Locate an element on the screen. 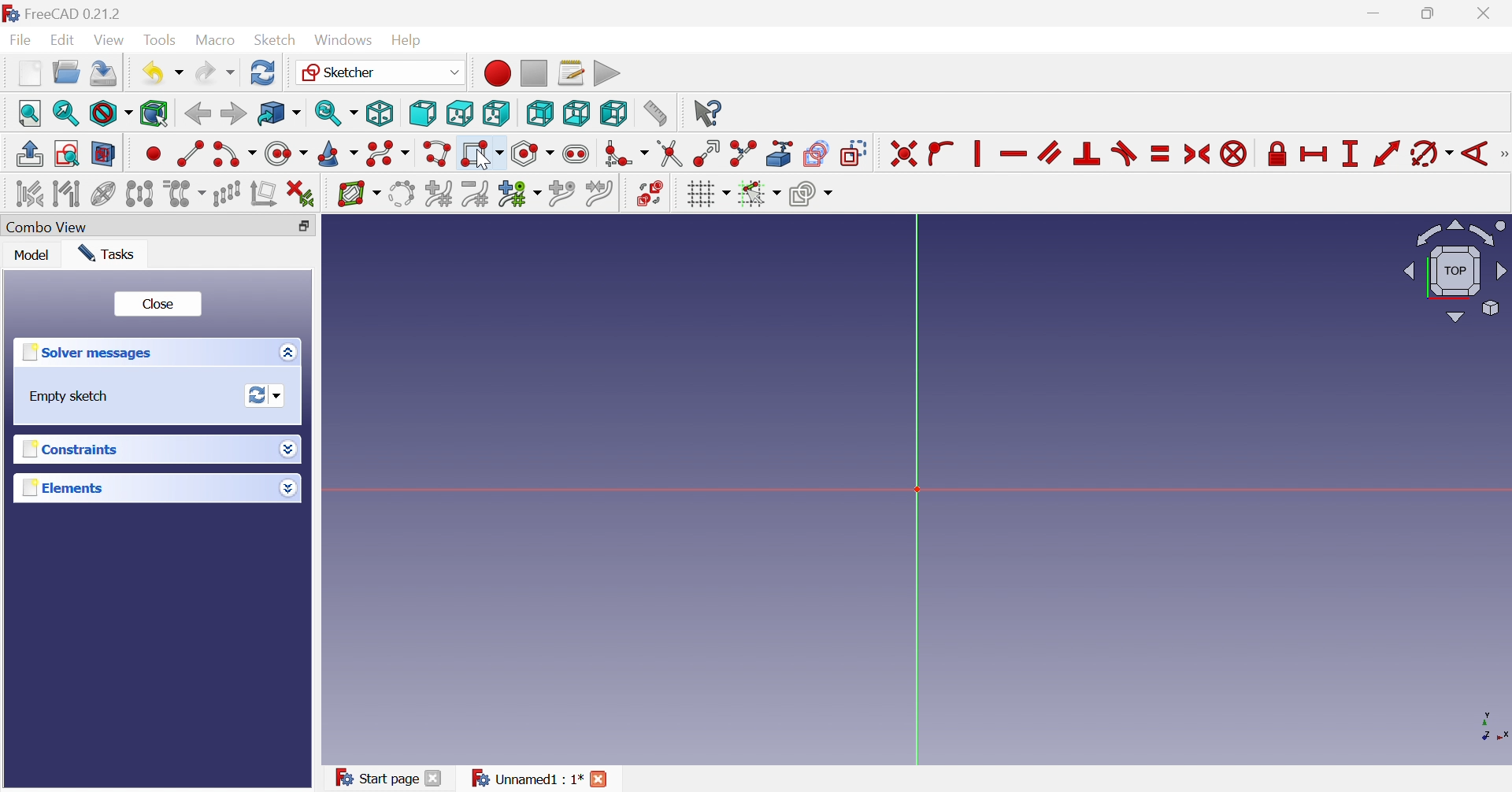 The image size is (1512, 792). File is located at coordinates (24, 41).